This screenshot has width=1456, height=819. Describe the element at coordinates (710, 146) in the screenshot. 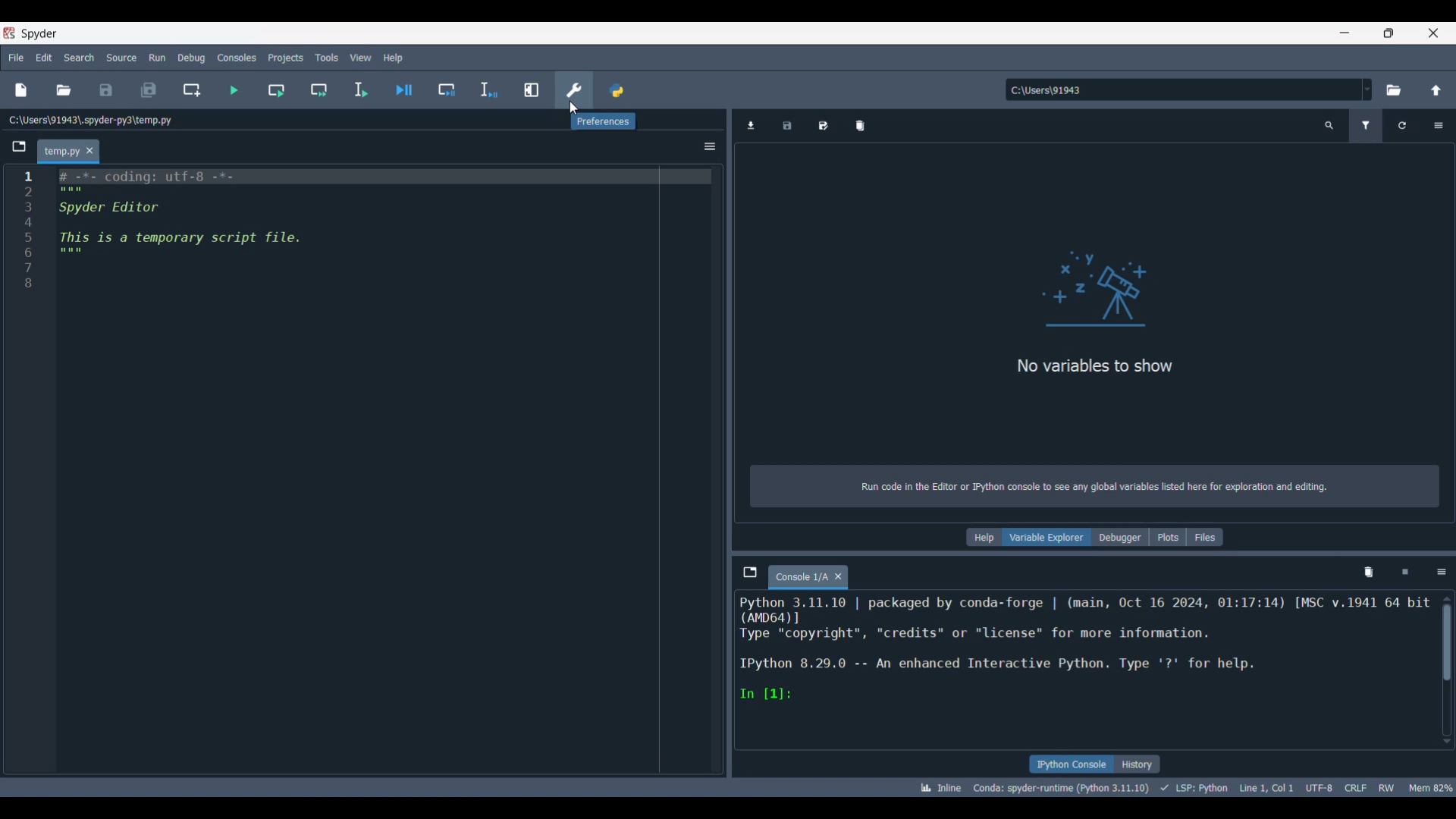

I see `Options` at that location.